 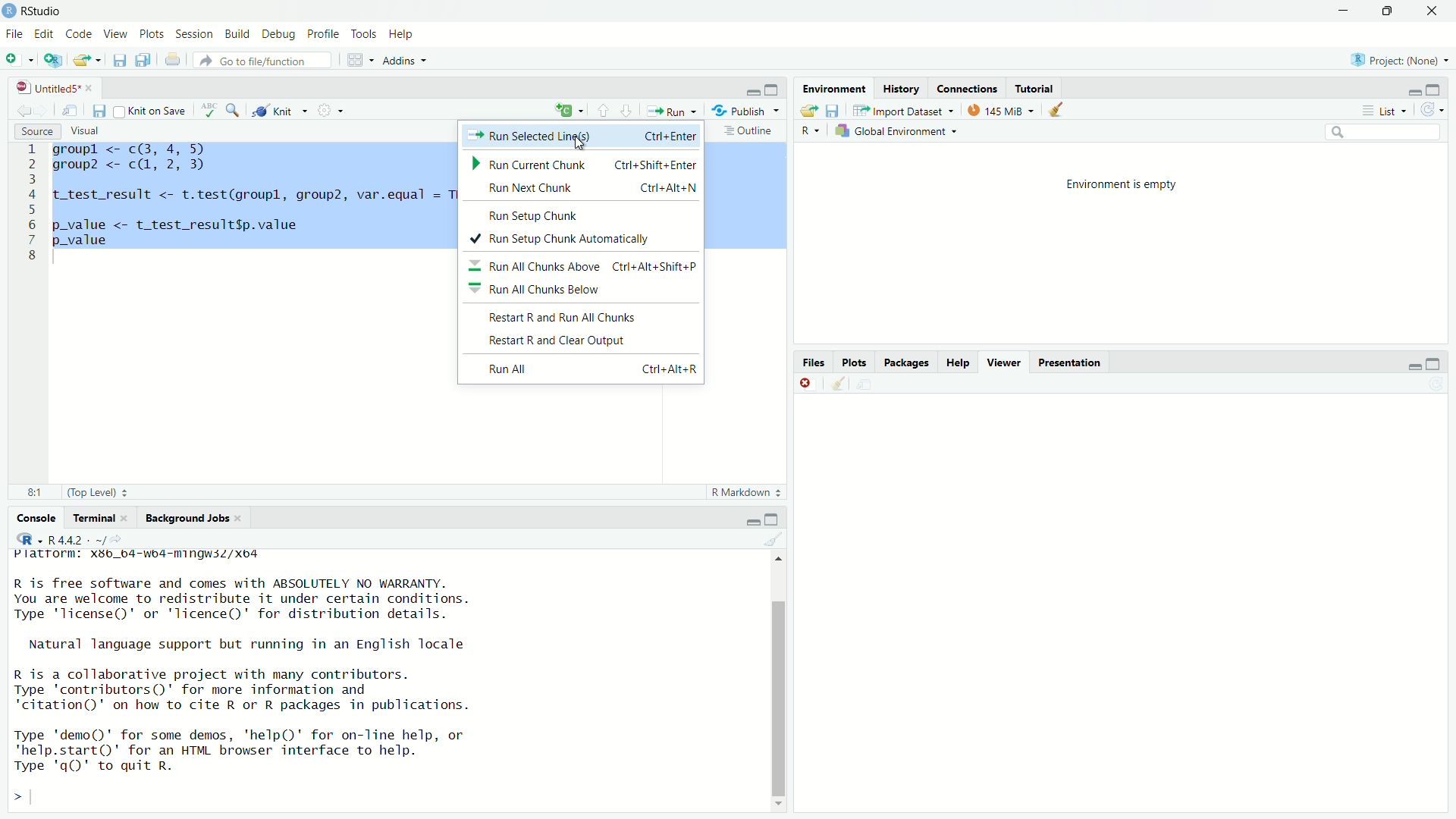 I want to click on Code, so click(x=79, y=32).